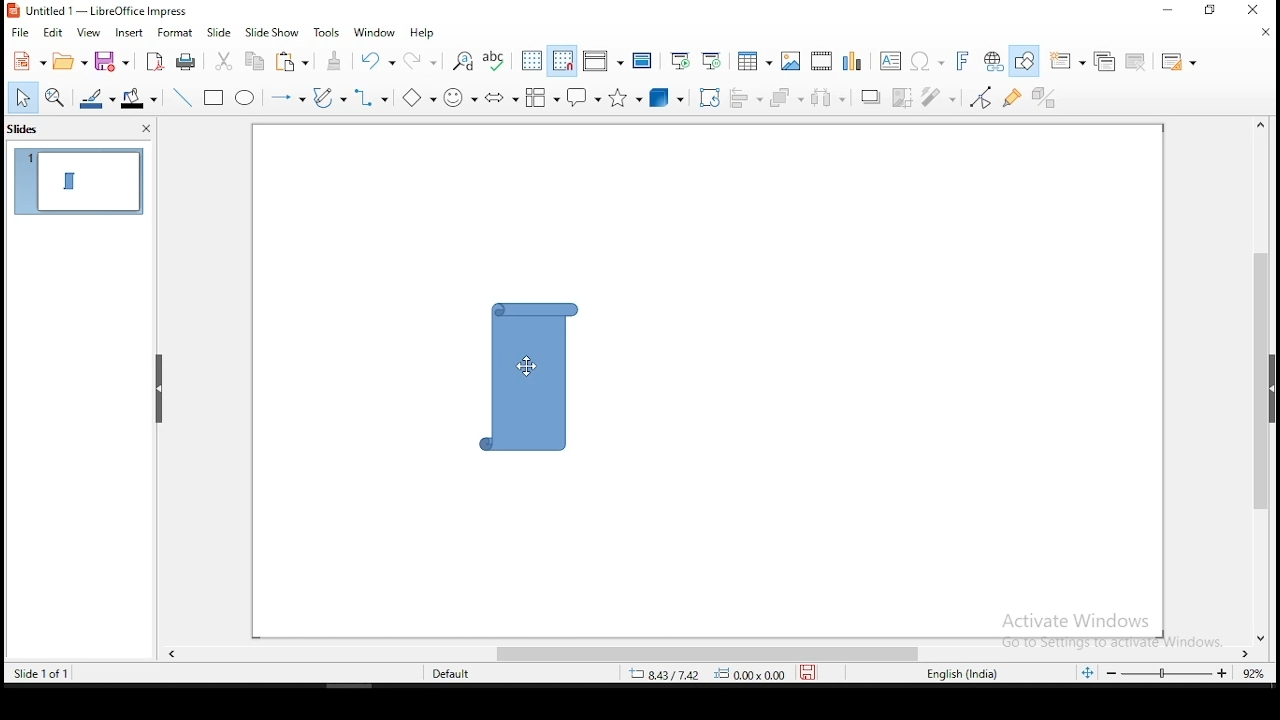 Image resolution: width=1280 pixels, height=720 pixels. I want to click on minimize, so click(1164, 13).